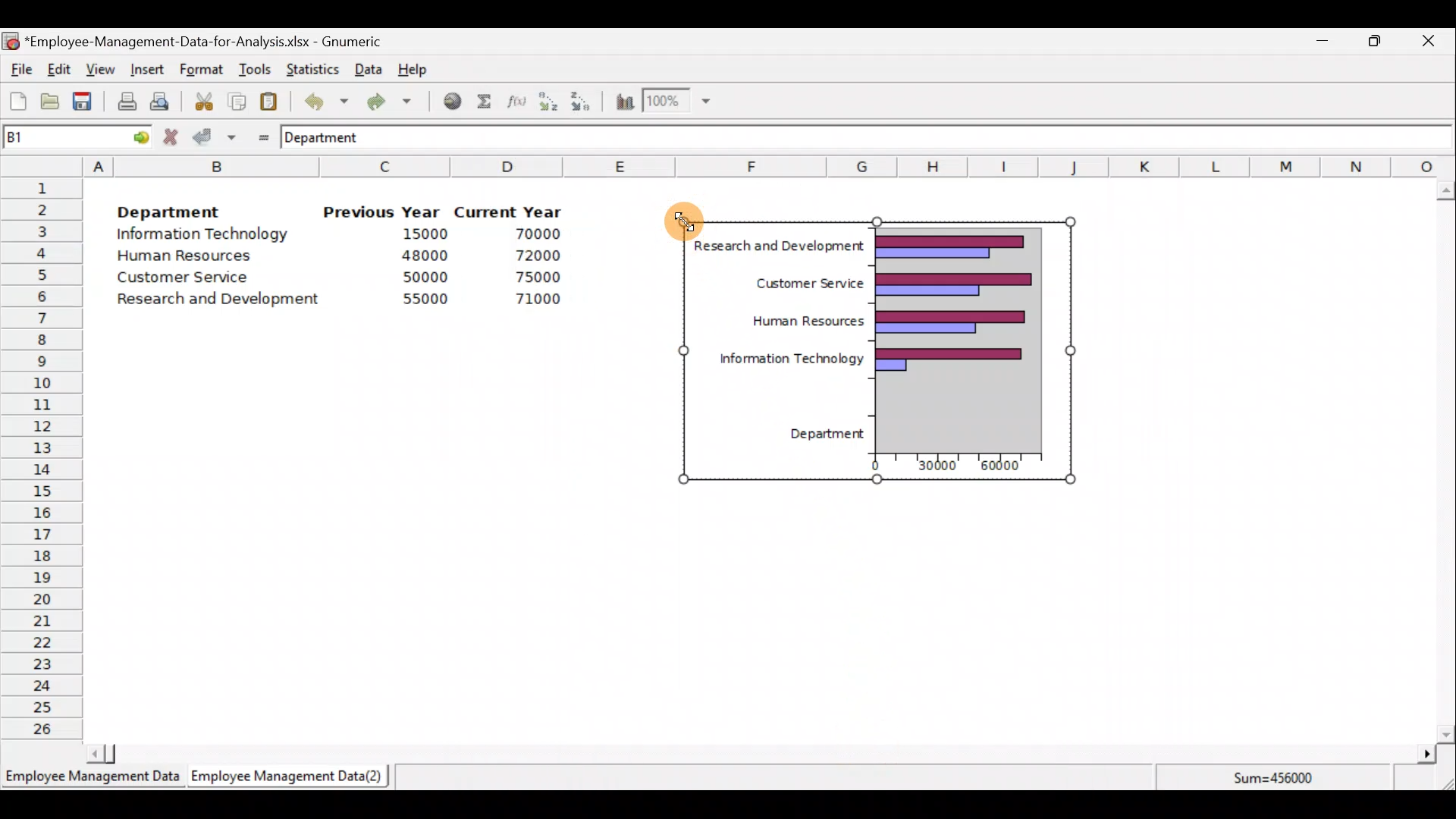  Describe the element at coordinates (50, 136) in the screenshot. I see `Cell name B1` at that location.